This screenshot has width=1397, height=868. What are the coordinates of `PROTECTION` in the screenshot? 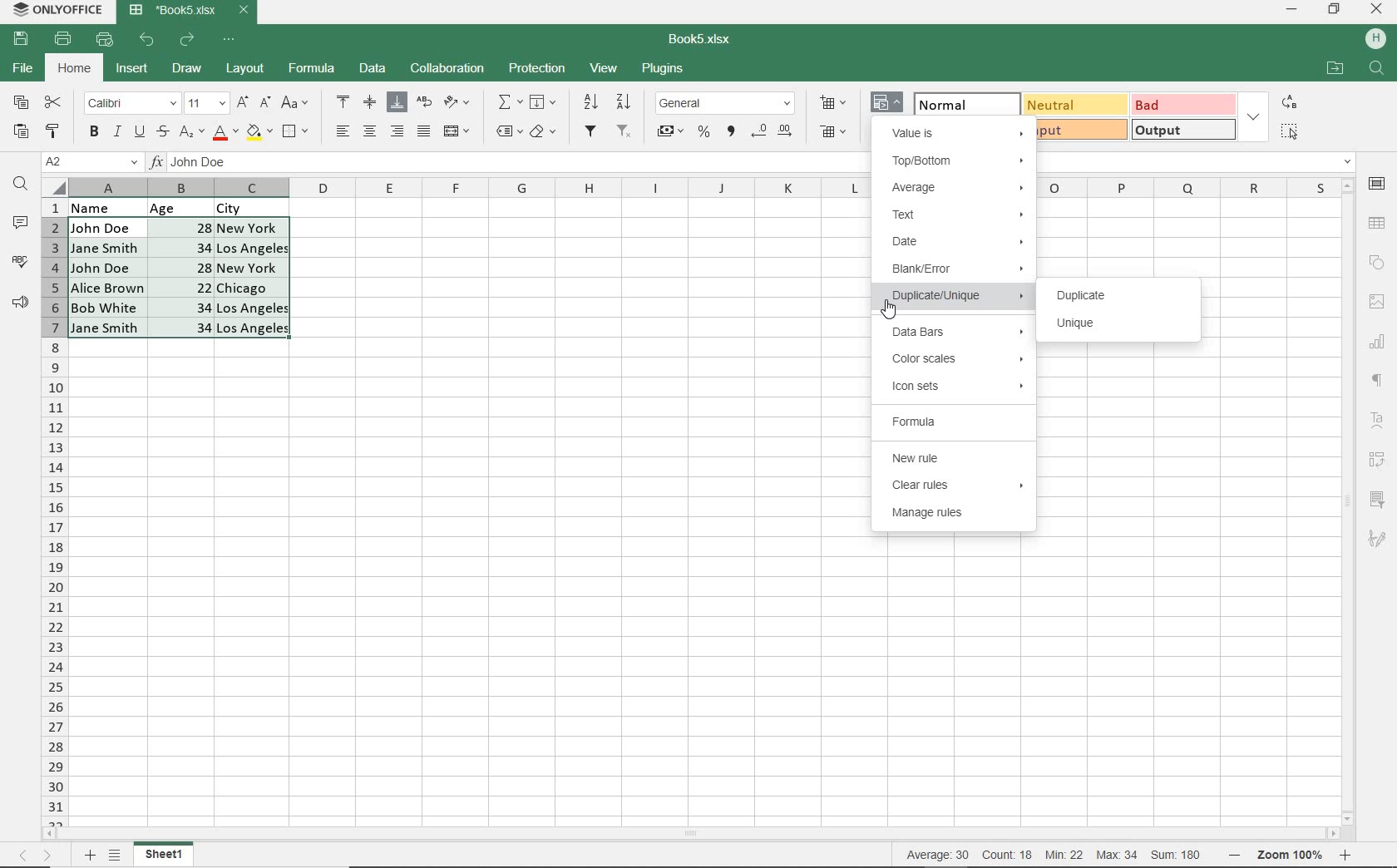 It's located at (537, 68).